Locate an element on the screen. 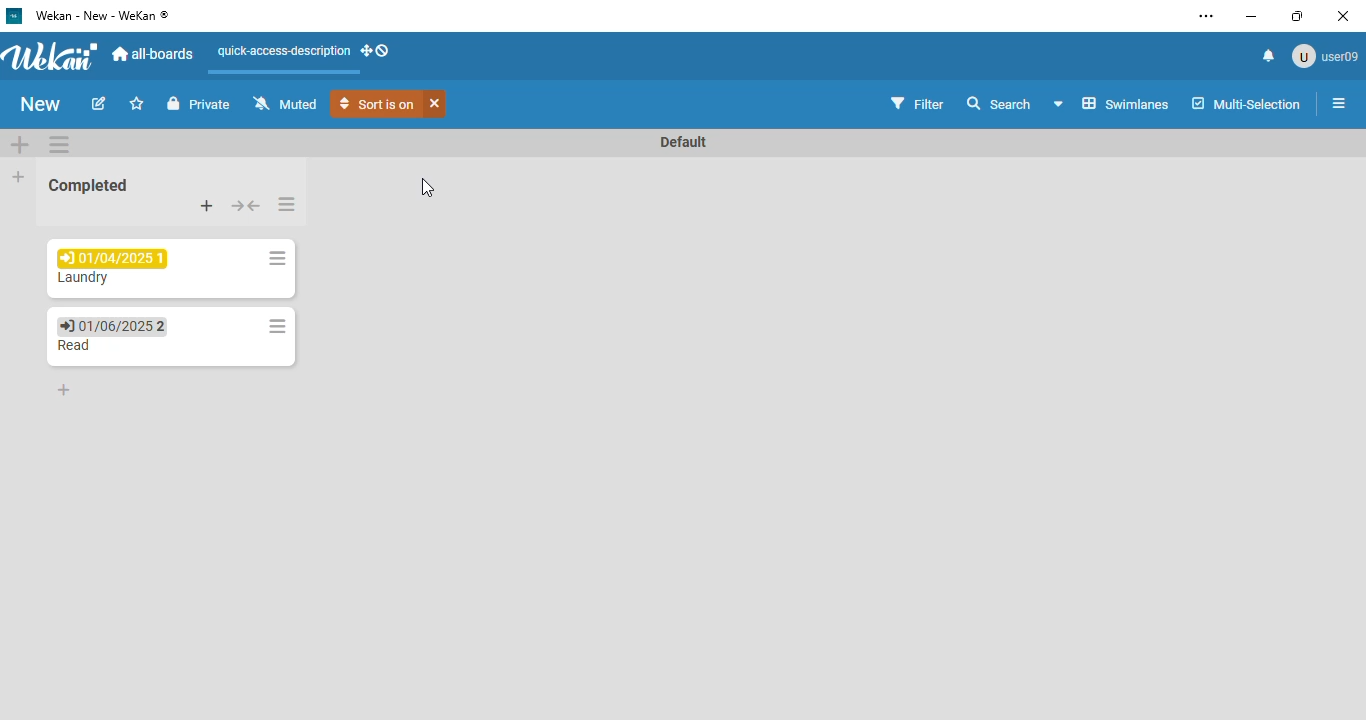 The height and width of the screenshot is (720, 1366). cursor is located at coordinates (426, 188).